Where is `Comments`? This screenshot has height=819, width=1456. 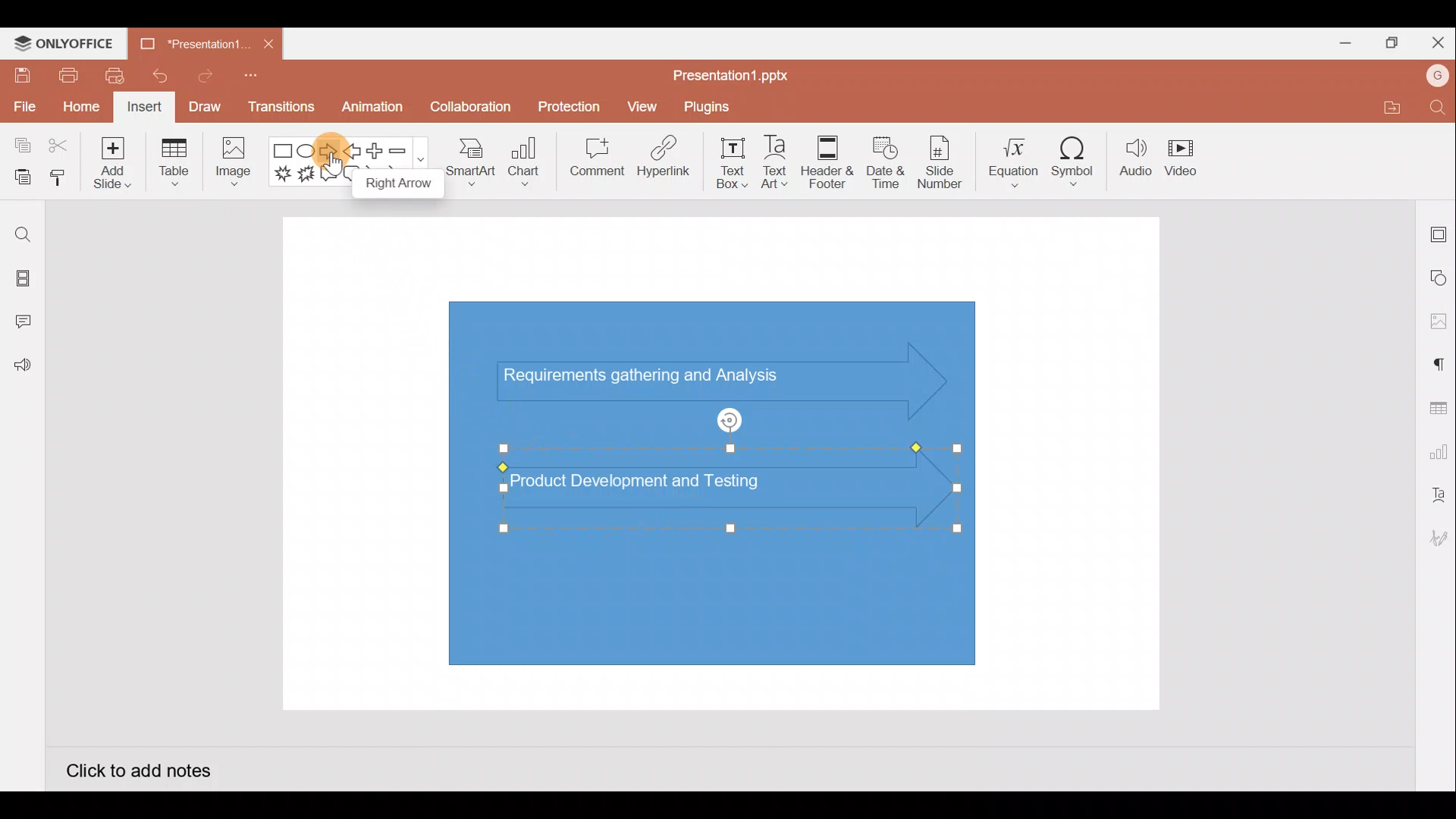
Comments is located at coordinates (27, 323).